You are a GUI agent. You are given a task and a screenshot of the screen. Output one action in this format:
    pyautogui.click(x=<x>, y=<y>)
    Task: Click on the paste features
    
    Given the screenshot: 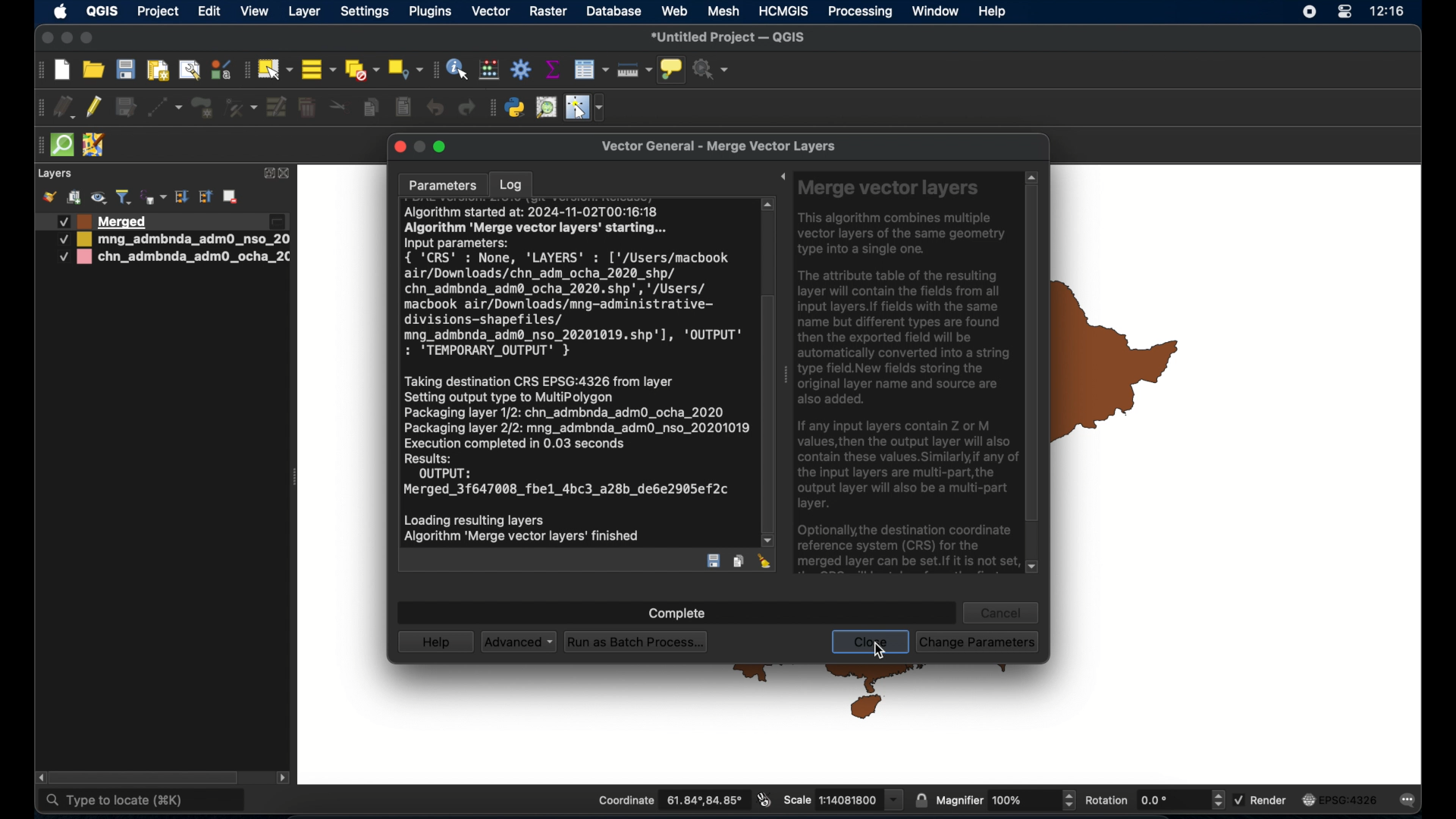 What is the action you would take?
    pyautogui.click(x=402, y=106)
    